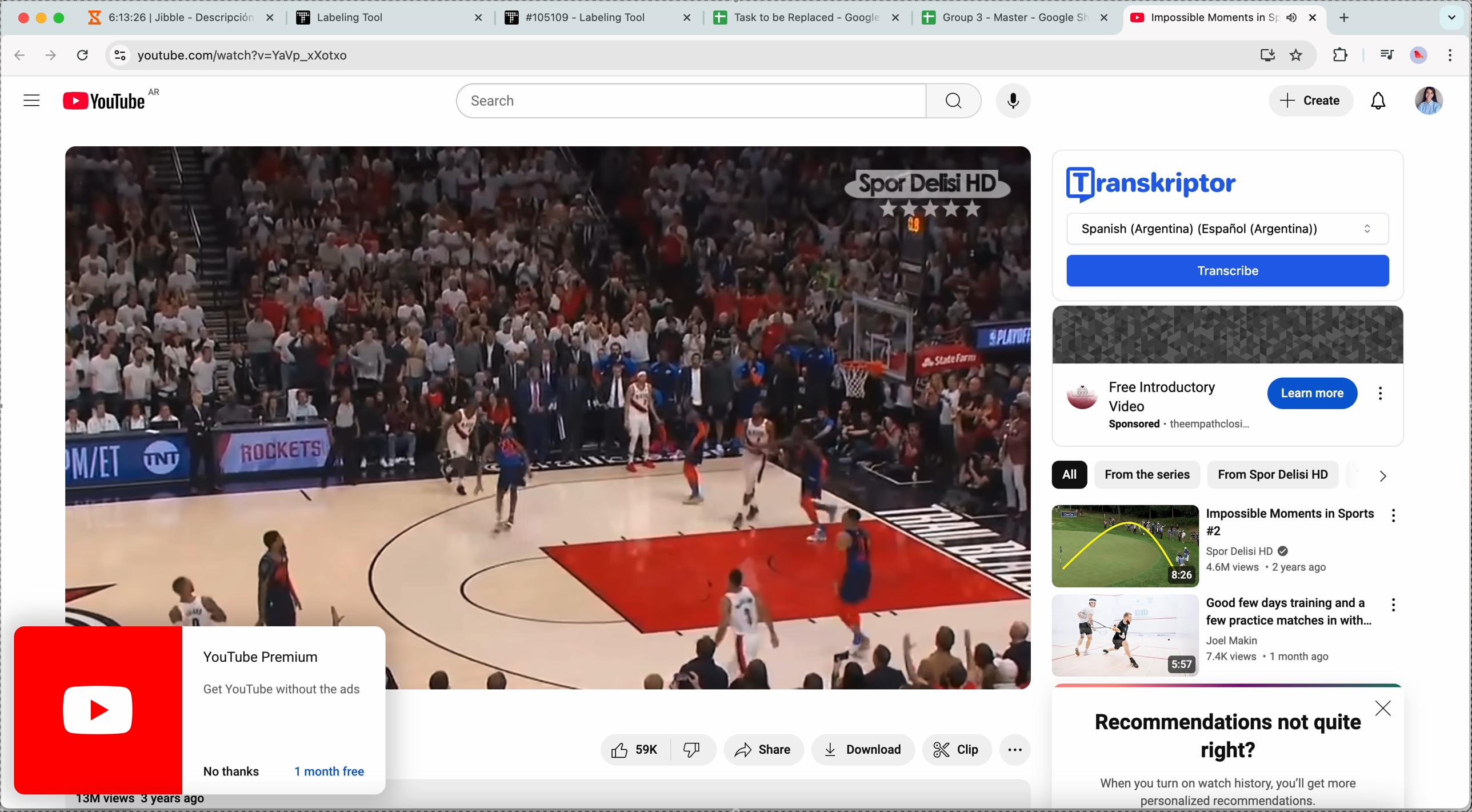 The image size is (1472, 812). What do you see at coordinates (636, 749) in the screenshot?
I see `likes` at bounding box center [636, 749].